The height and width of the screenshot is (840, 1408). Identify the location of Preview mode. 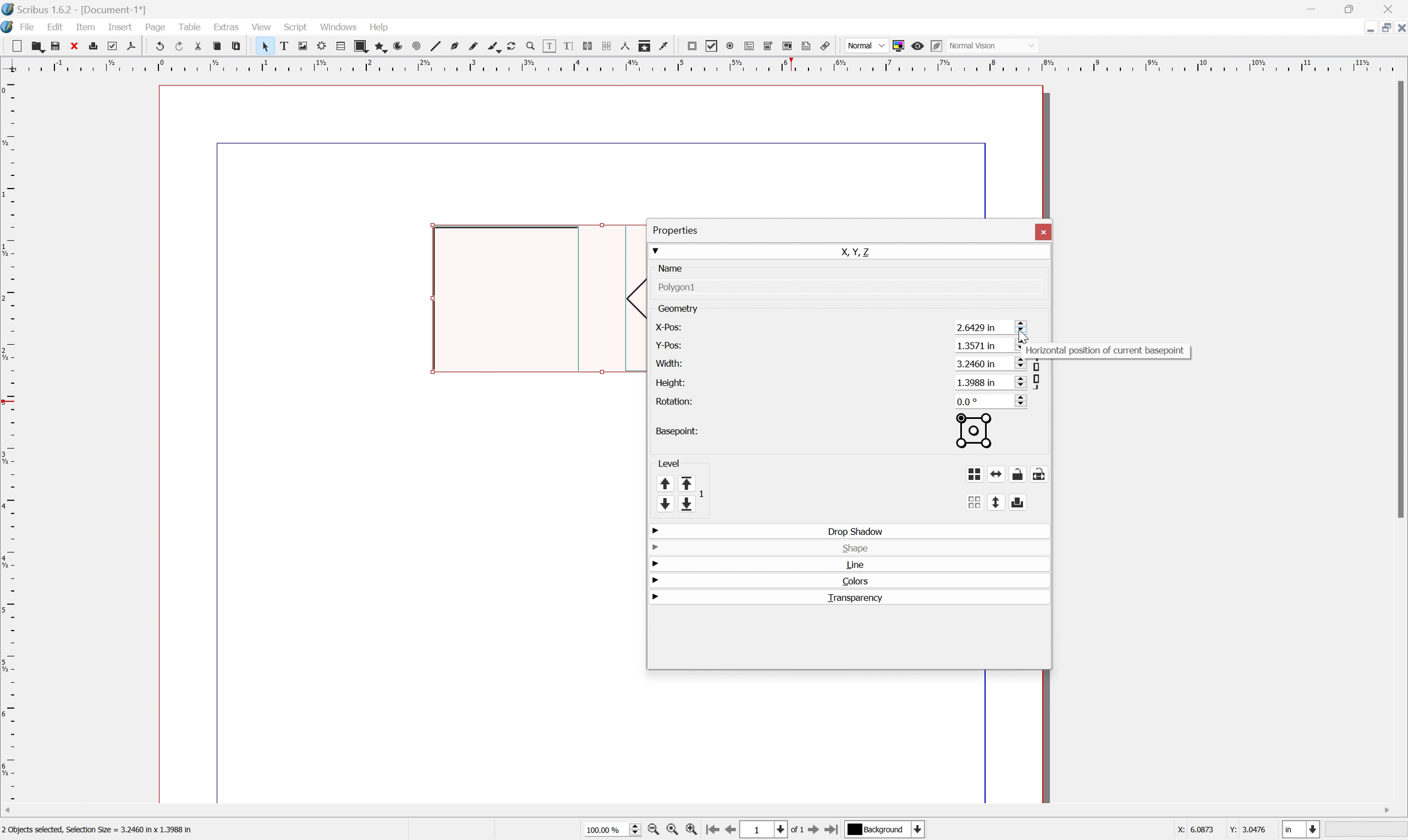
(917, 46).